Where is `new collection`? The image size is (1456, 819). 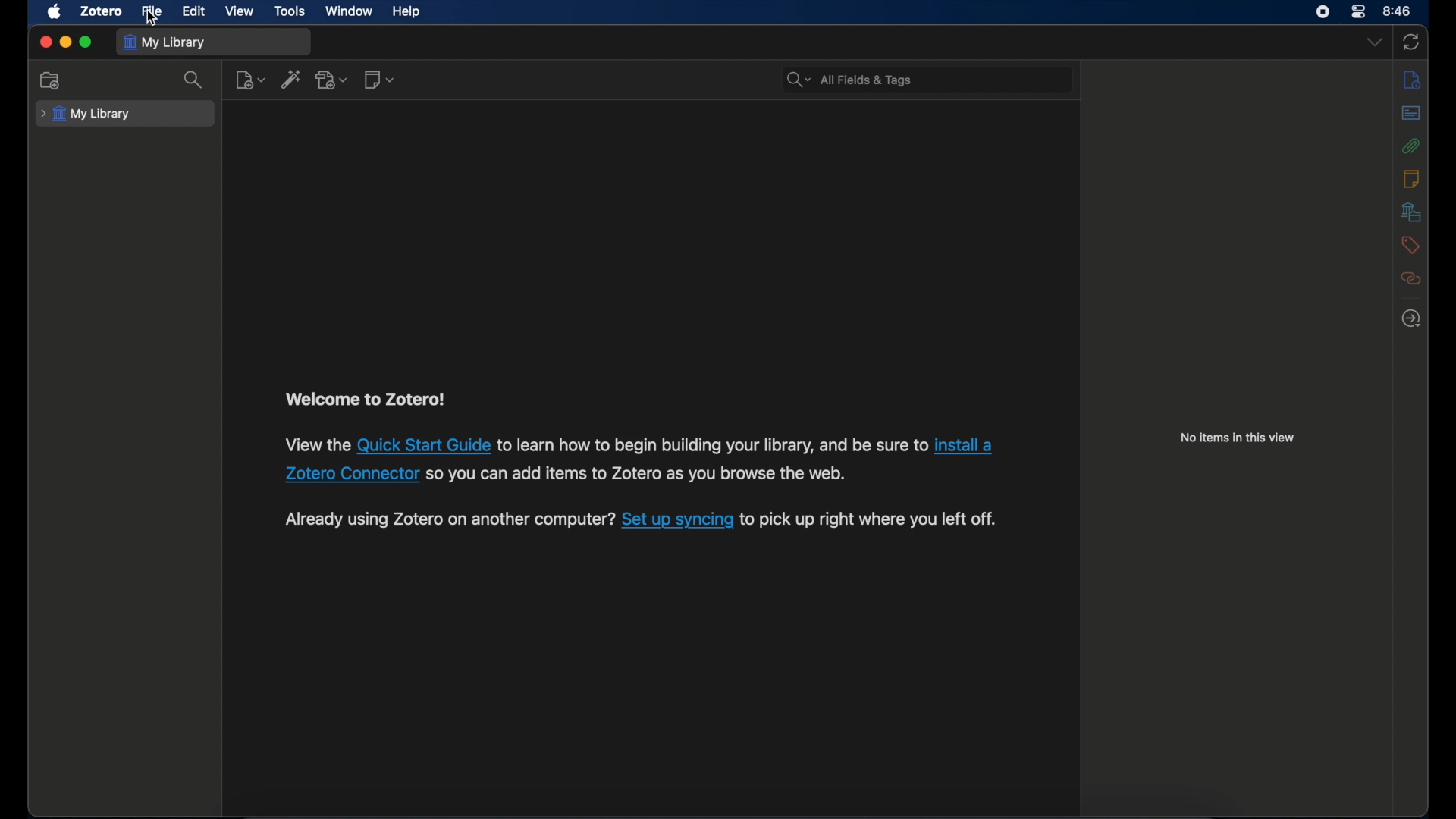
new collection is located at coordinates (49, 80).